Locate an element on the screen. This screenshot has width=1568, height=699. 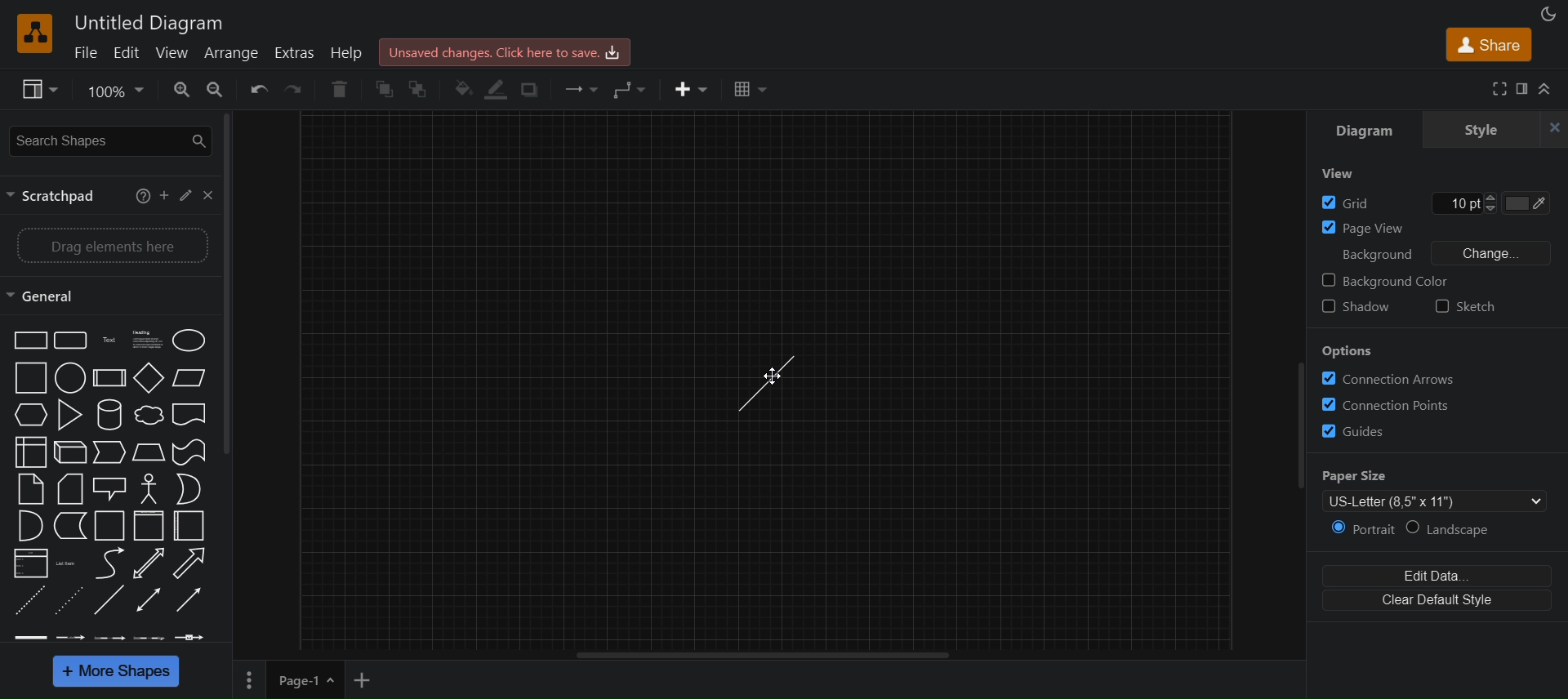
Bidirectional connector is located at coordinates (150, 599).